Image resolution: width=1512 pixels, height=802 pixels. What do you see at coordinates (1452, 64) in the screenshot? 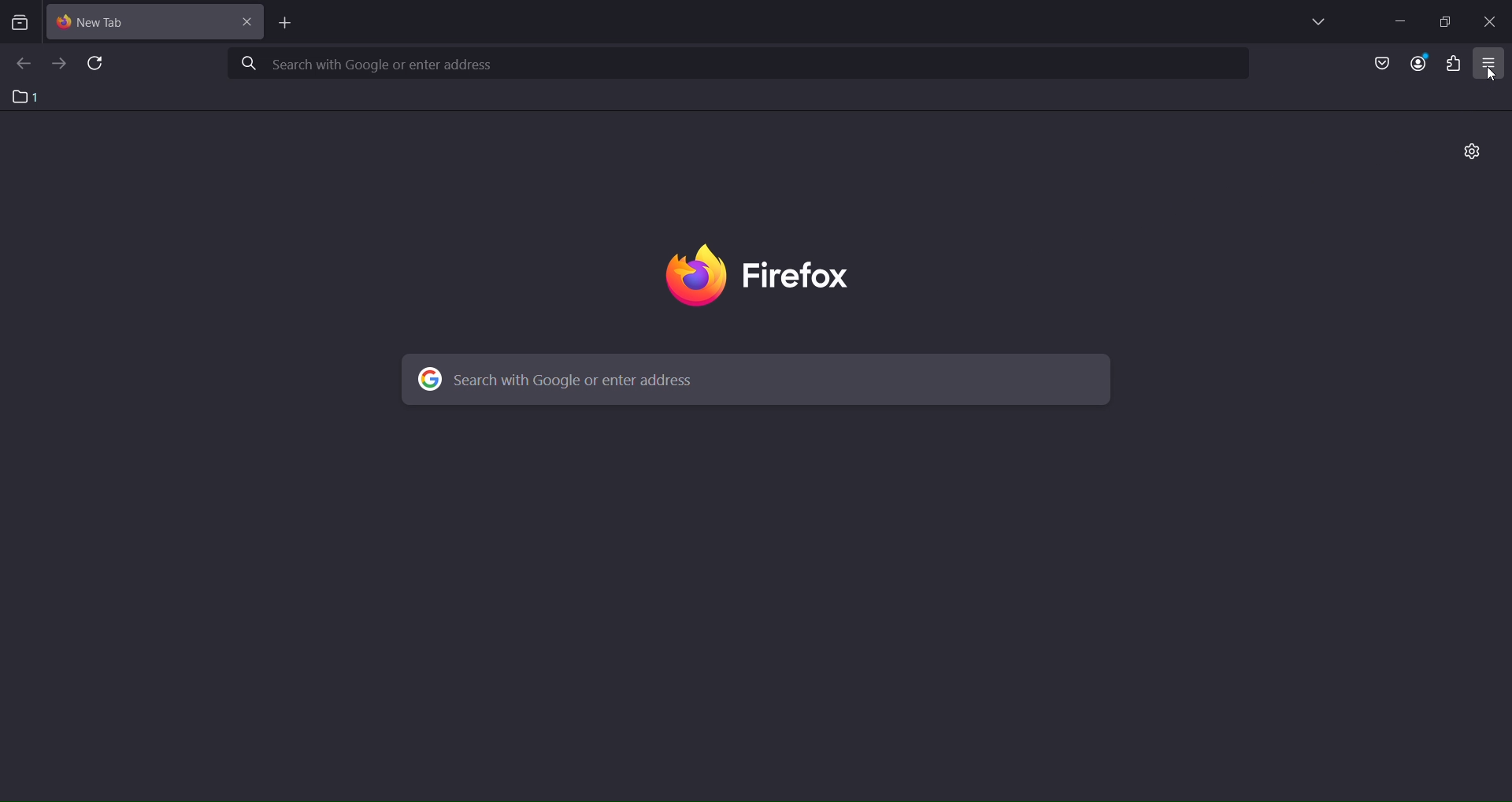
I see `menu` at bounding box center [1452, 64].